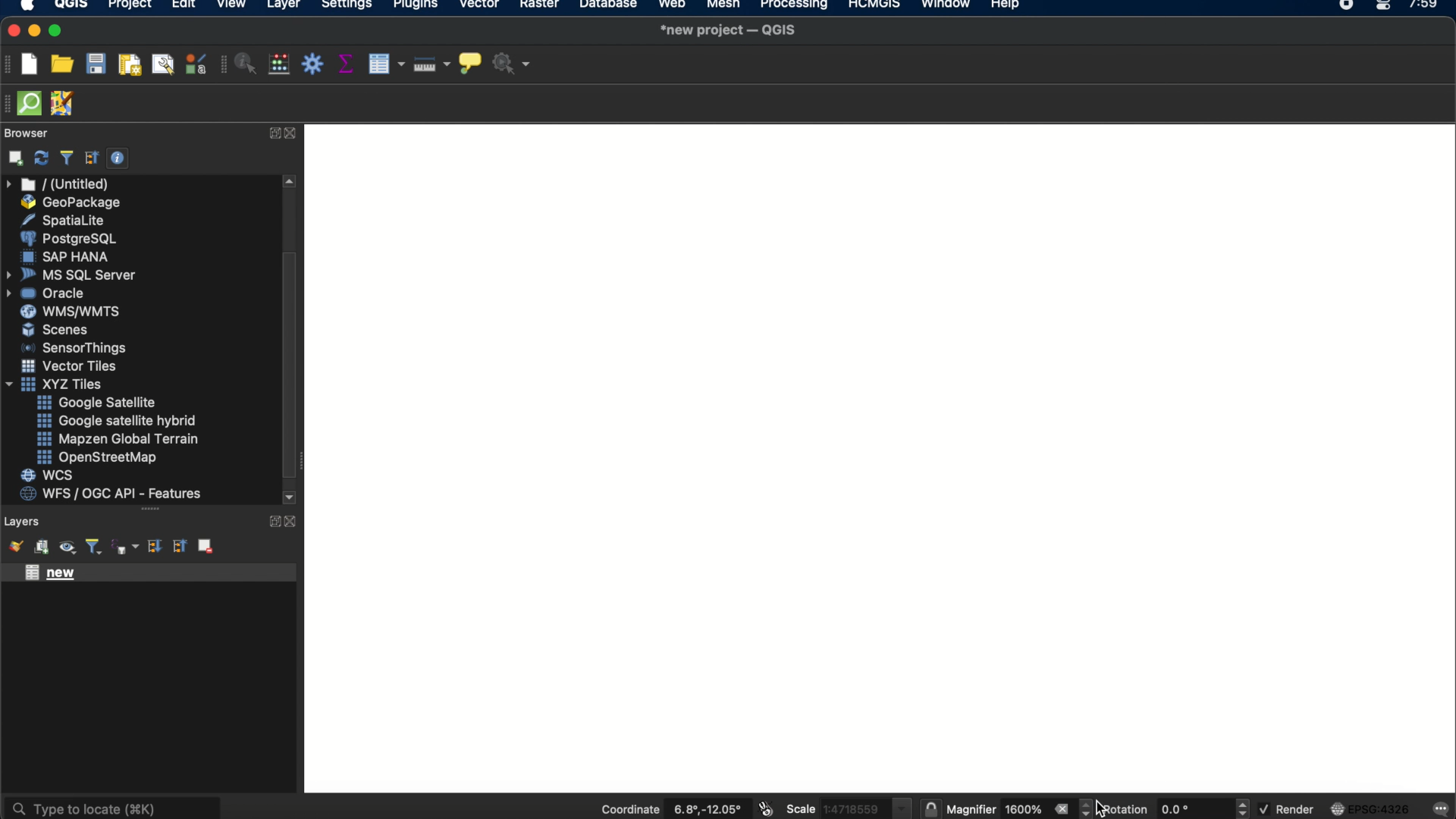 This screenshot has height=819, width=1456. What do you see at coordinates (292, 522) in the screenshot?
I see `contract` at bounding box center [292, 522].